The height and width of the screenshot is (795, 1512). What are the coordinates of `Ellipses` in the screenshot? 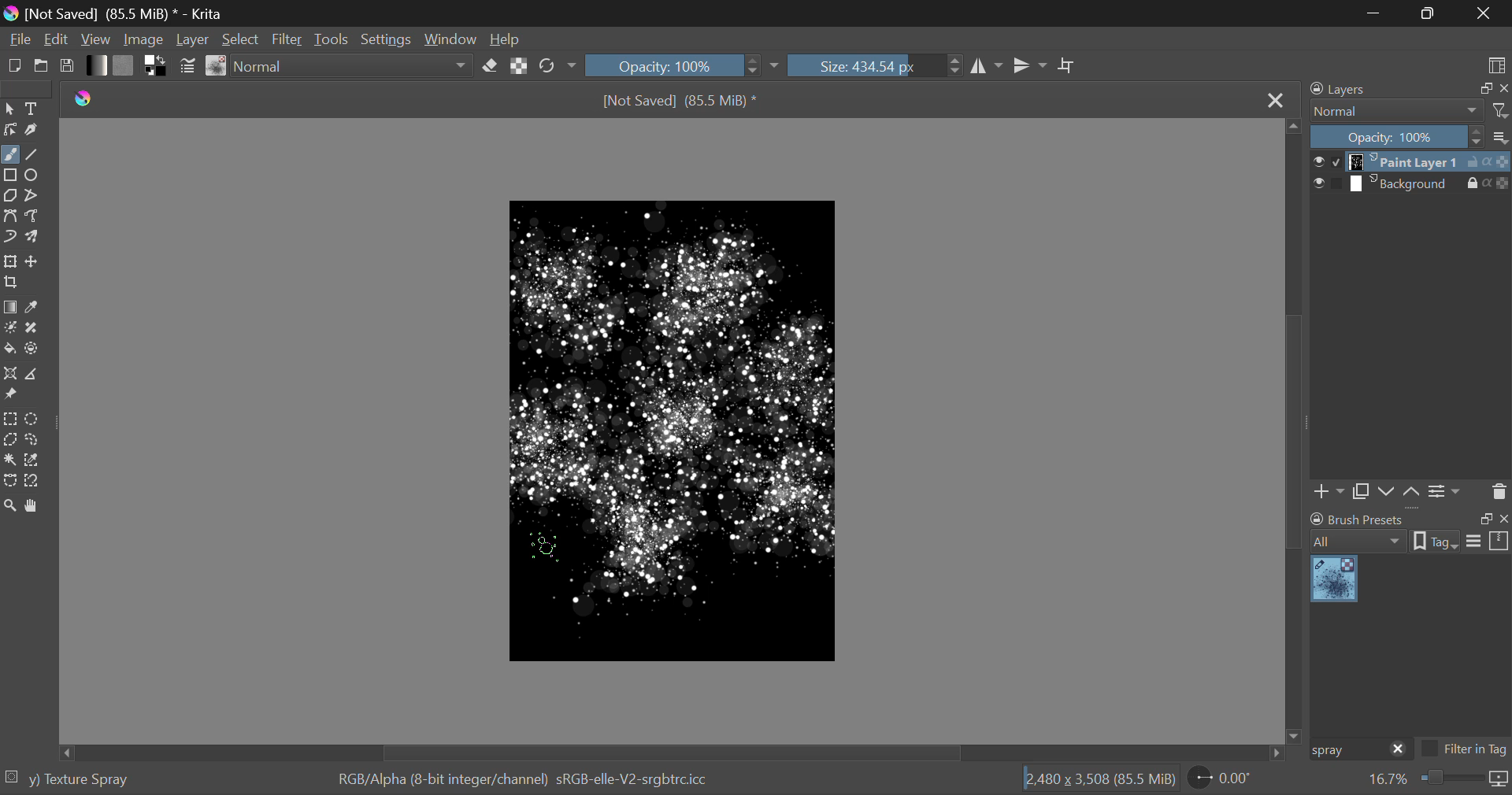 It's located at (34, 176).